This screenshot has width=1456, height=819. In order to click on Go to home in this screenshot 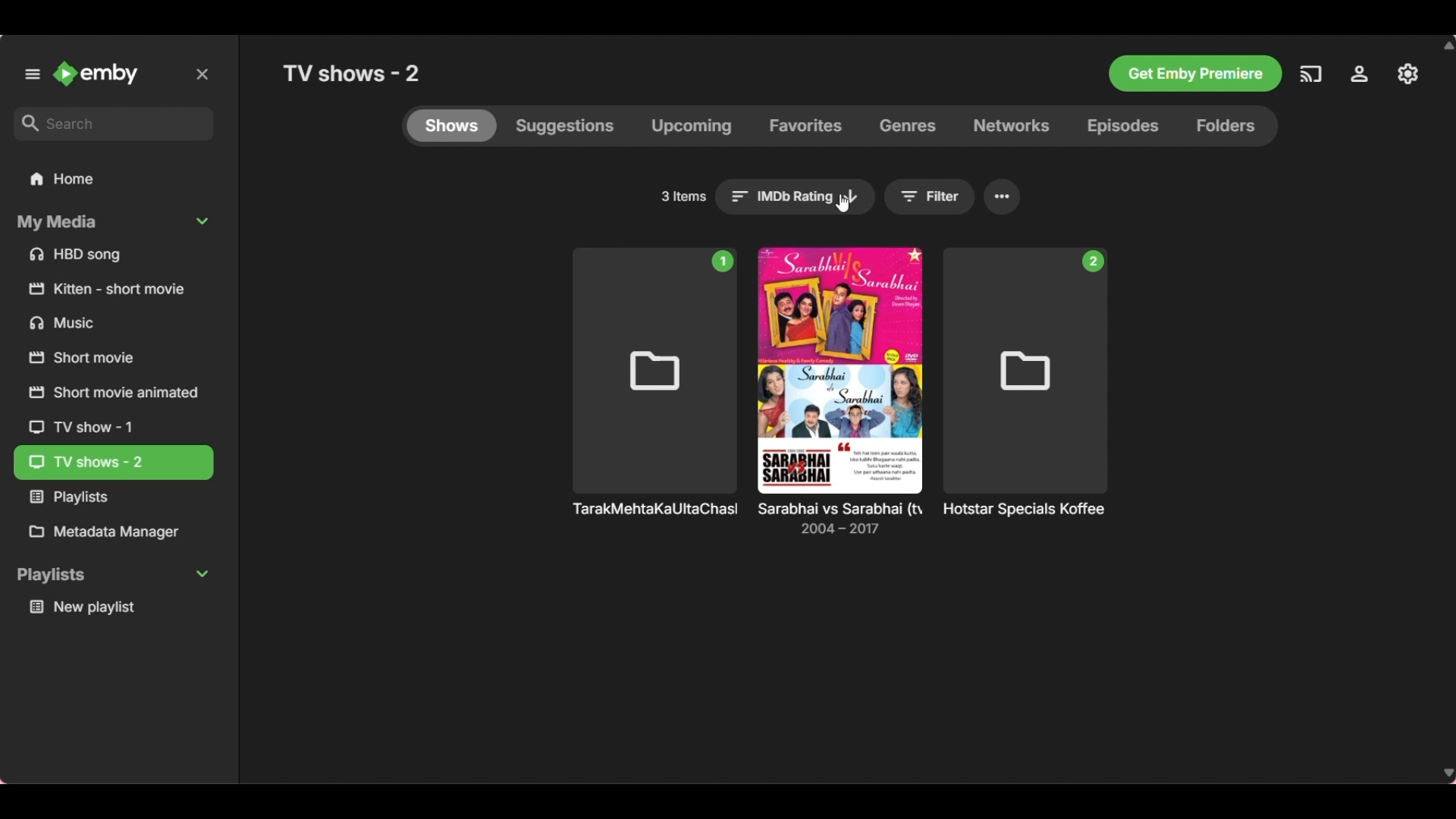, I will do `click(96, 73)`.